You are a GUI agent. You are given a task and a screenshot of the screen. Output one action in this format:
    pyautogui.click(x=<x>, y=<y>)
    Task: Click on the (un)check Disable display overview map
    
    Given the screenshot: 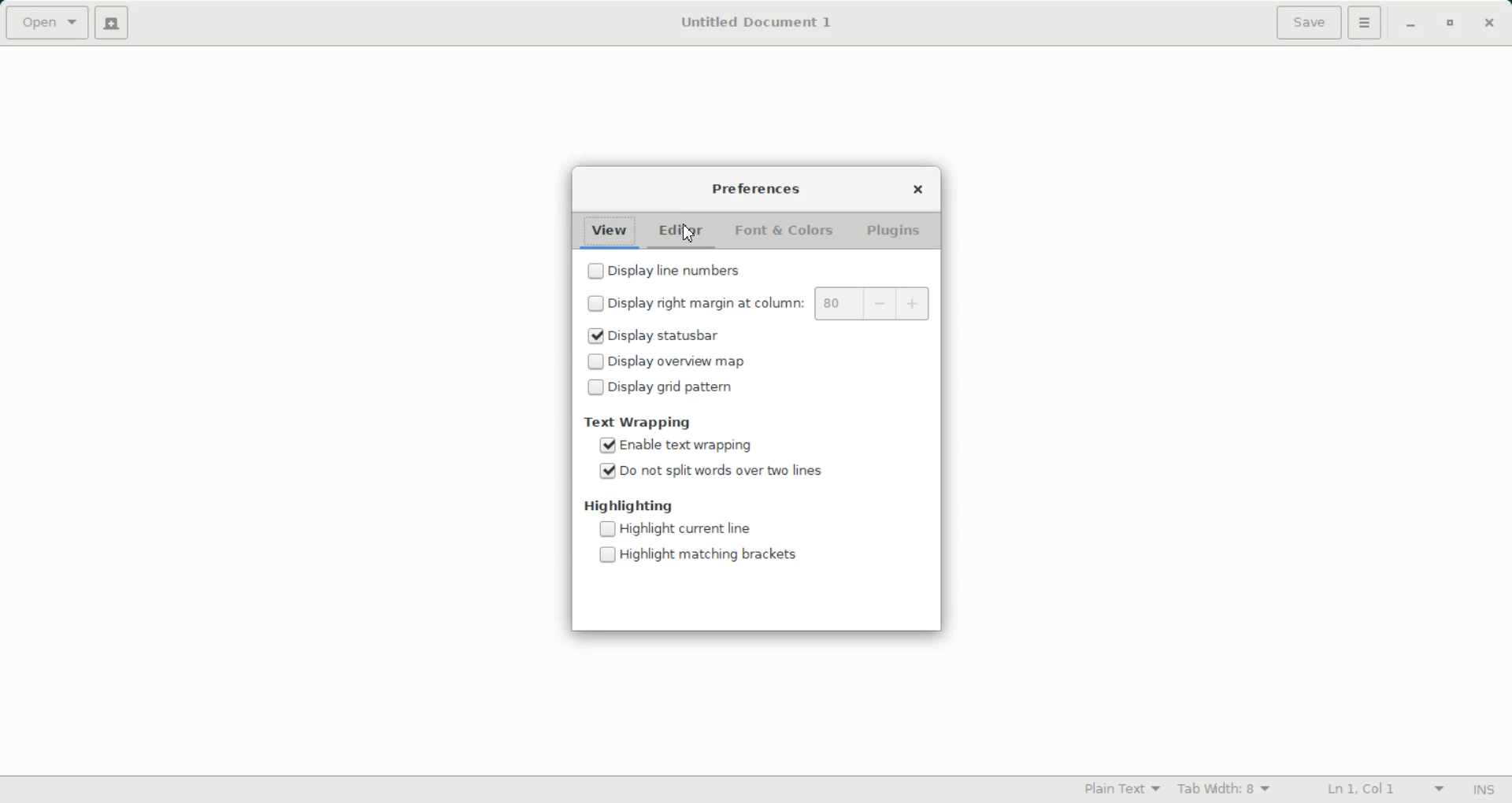 What is the action you would take?
    pyautogui.click(x=756, y=360)
    